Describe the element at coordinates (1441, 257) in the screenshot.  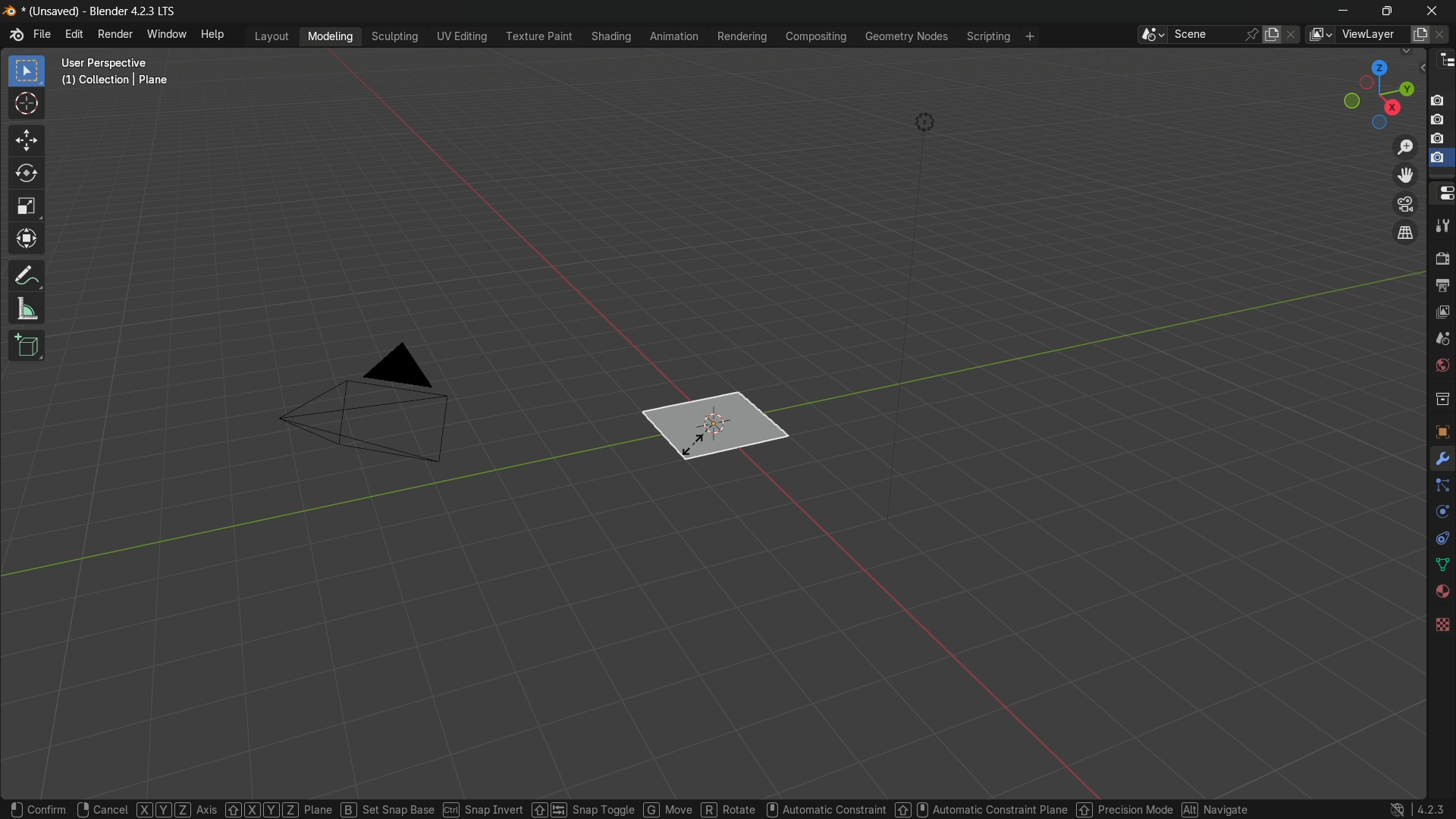
I see `render` at that location.